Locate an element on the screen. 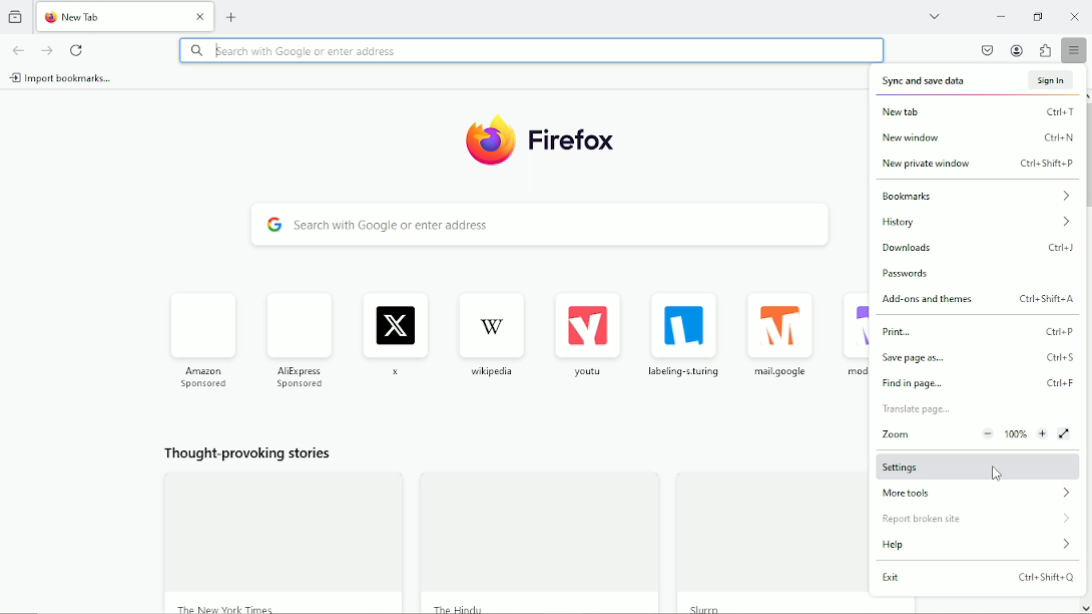 The height and width of the screenshot is (614, 1092). save to pocket is located at coordinates (986, 50).